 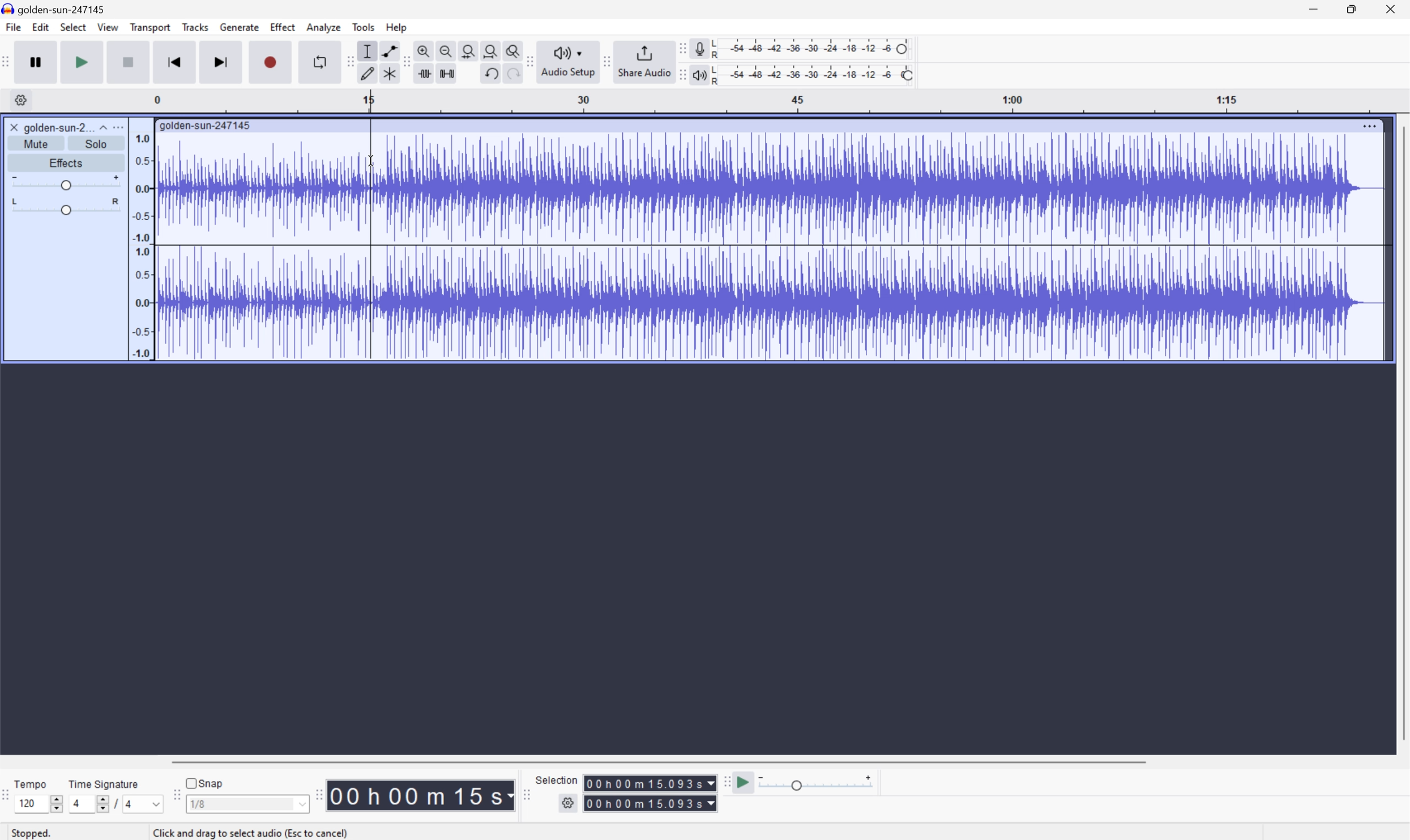 I want to click on Audacity selection toolbar, so click(x=526, y=798).